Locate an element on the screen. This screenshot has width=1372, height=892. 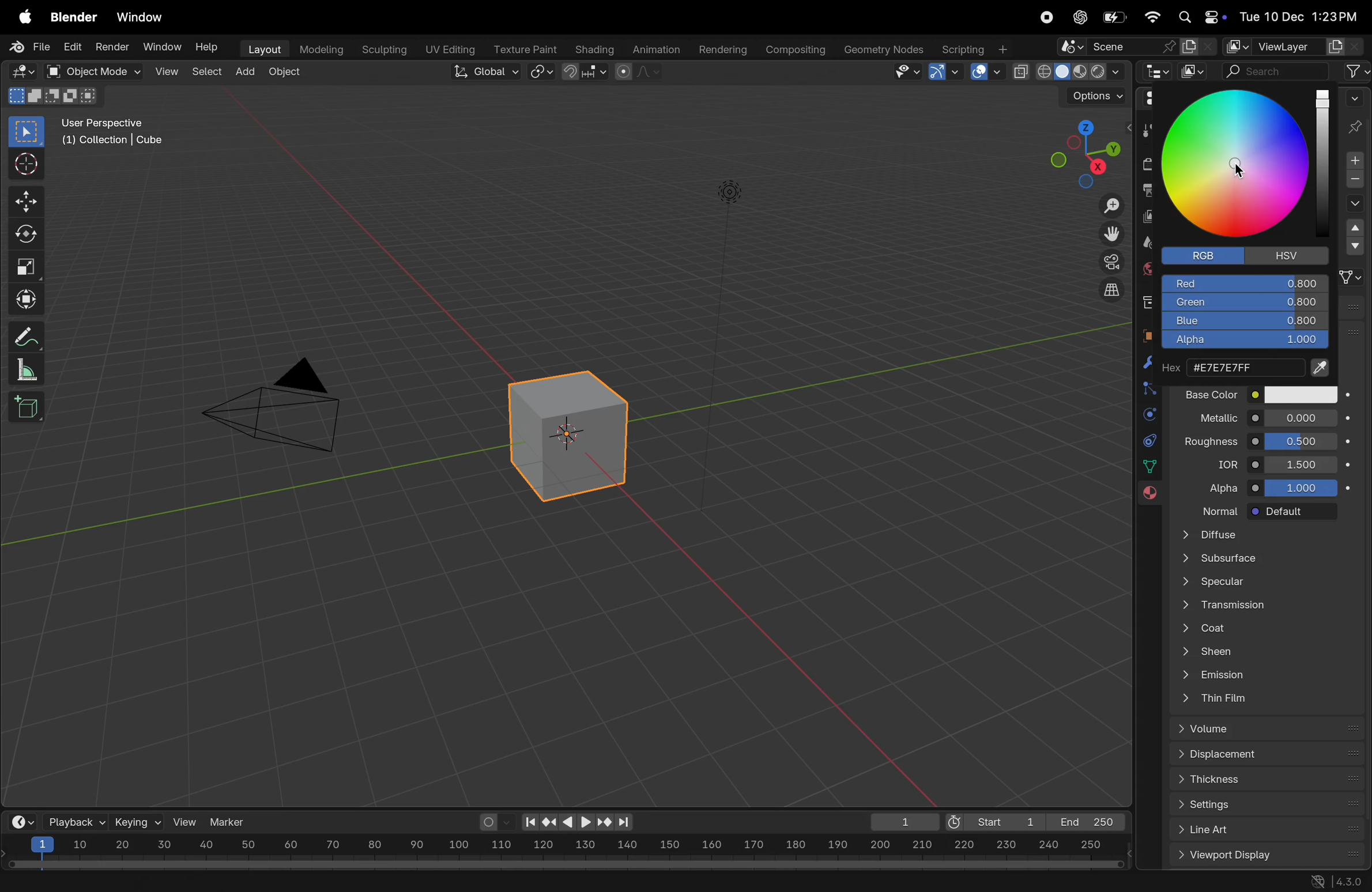
Layout is located at coordinates (262, 48).